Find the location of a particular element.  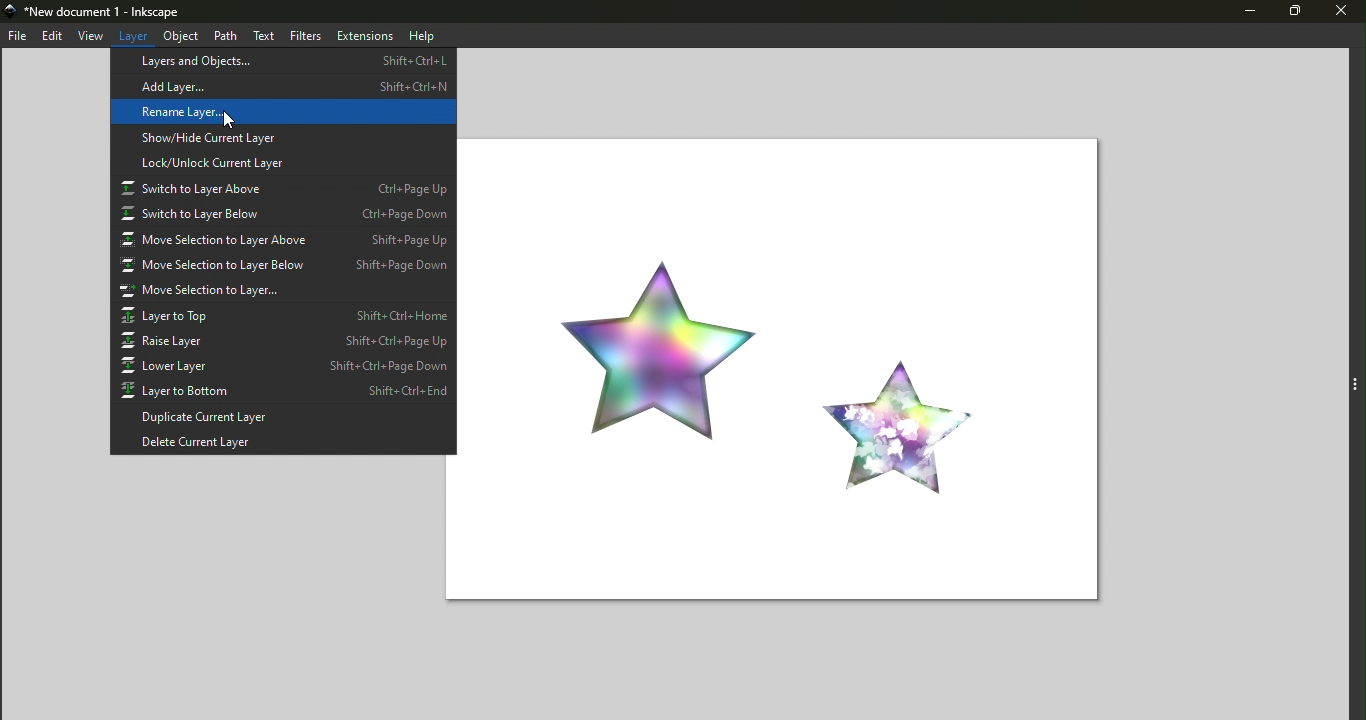

edit is located at coordinates (50, 37).